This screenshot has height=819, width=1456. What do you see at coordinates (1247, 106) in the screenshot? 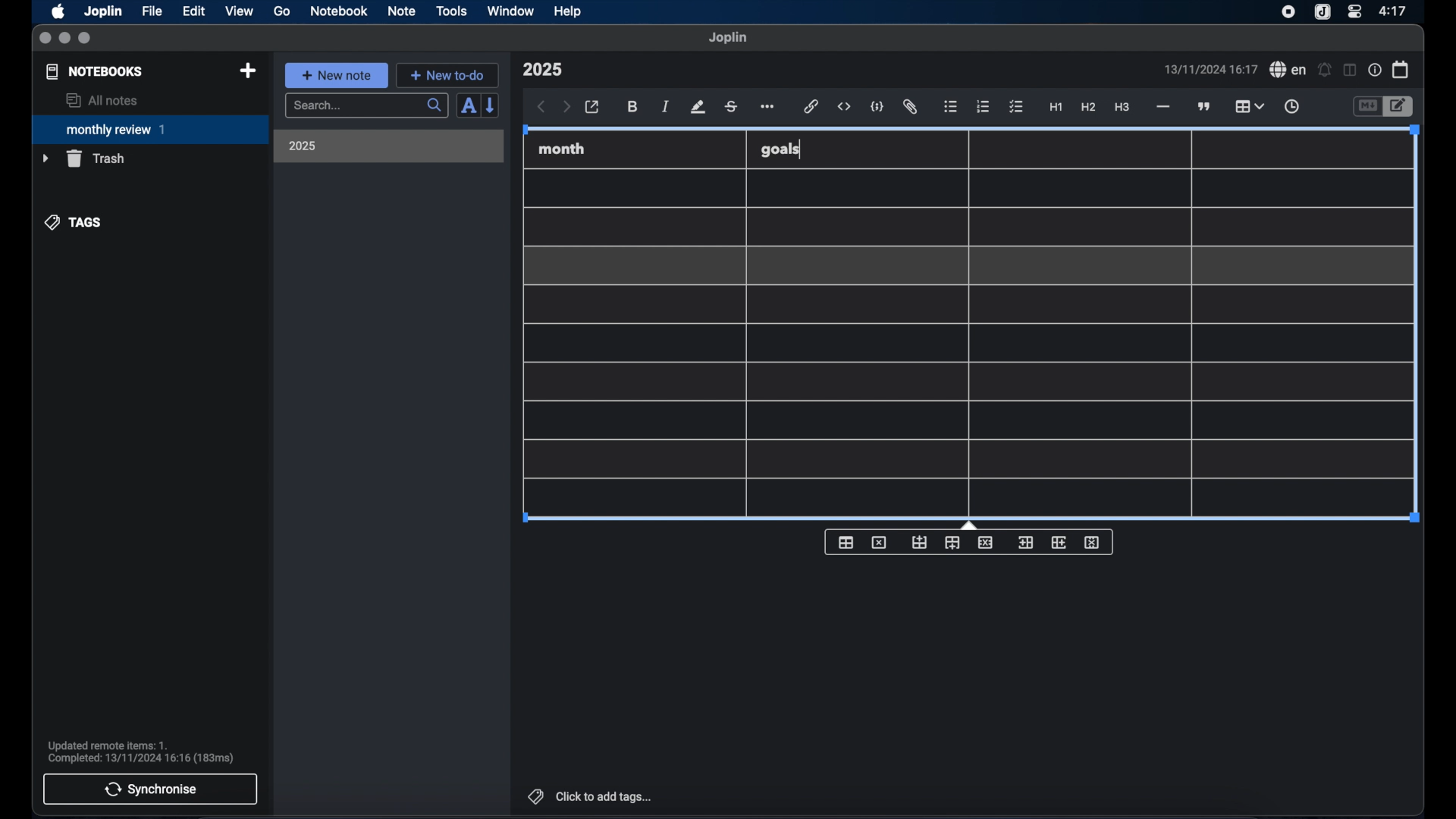
I see `table highlighted` at bounding box center [1247, 106].